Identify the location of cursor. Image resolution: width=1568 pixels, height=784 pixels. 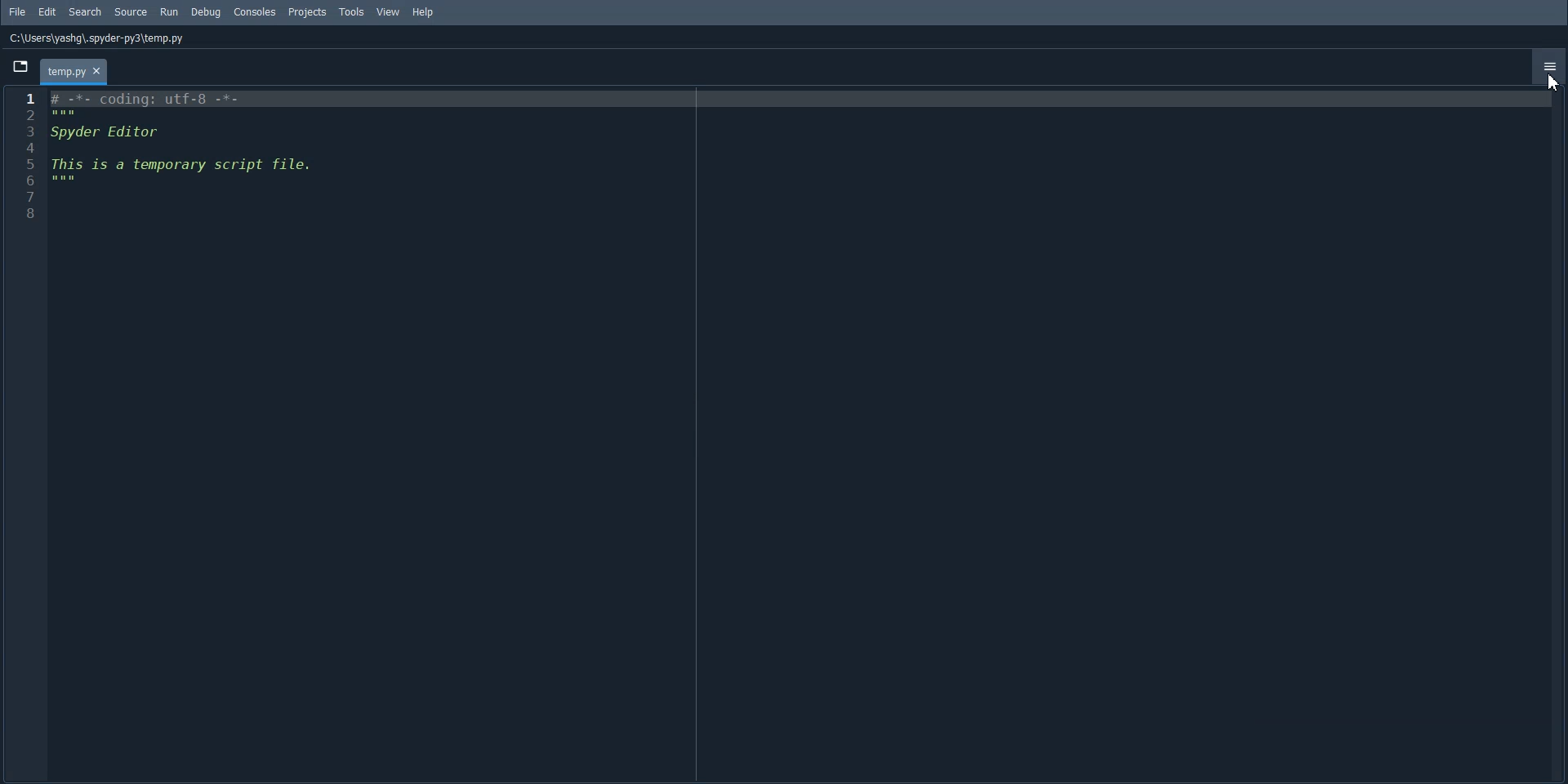
(1550, 85).